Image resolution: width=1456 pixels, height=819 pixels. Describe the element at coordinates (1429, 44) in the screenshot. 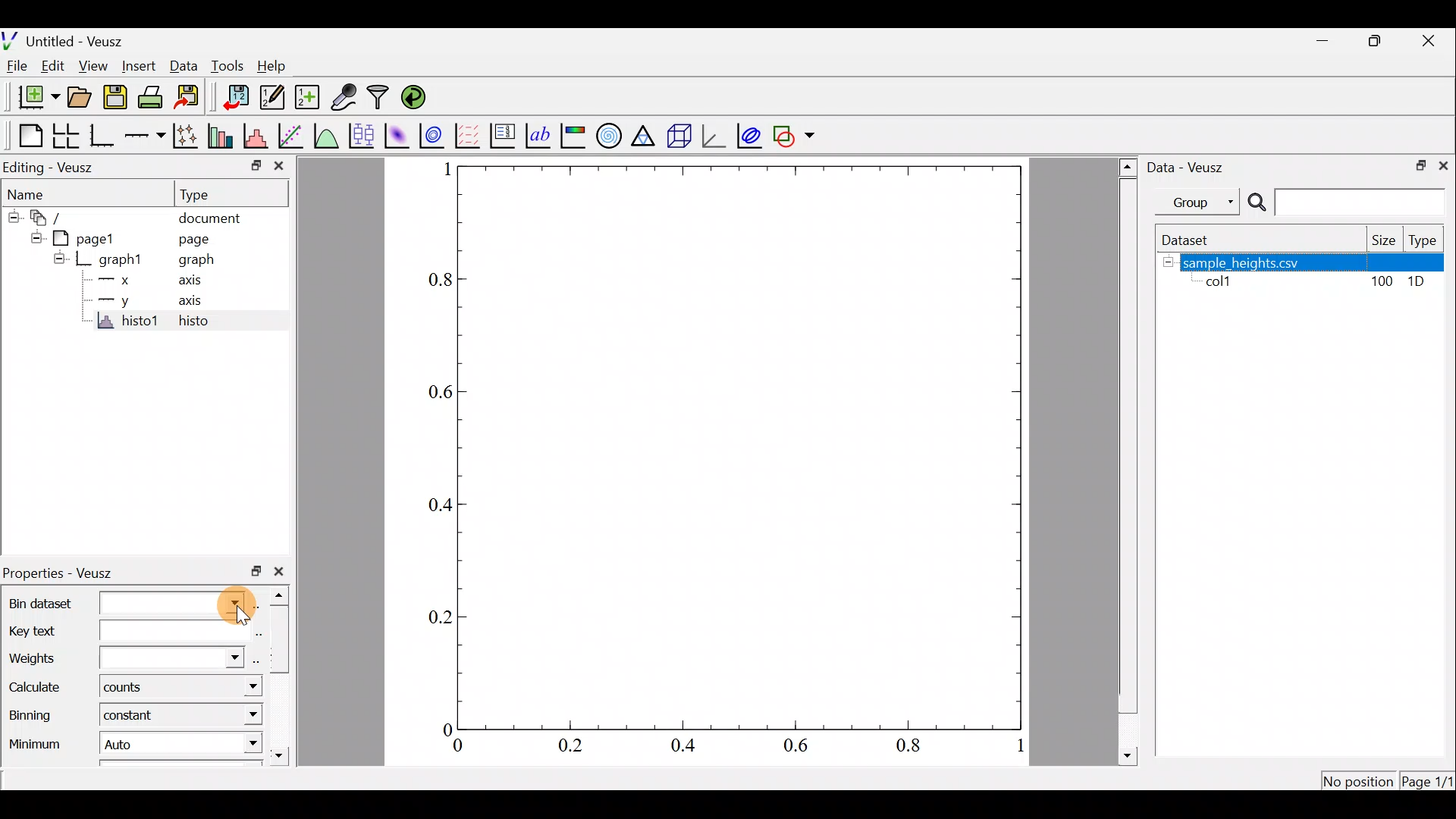

I see `close` at that location.